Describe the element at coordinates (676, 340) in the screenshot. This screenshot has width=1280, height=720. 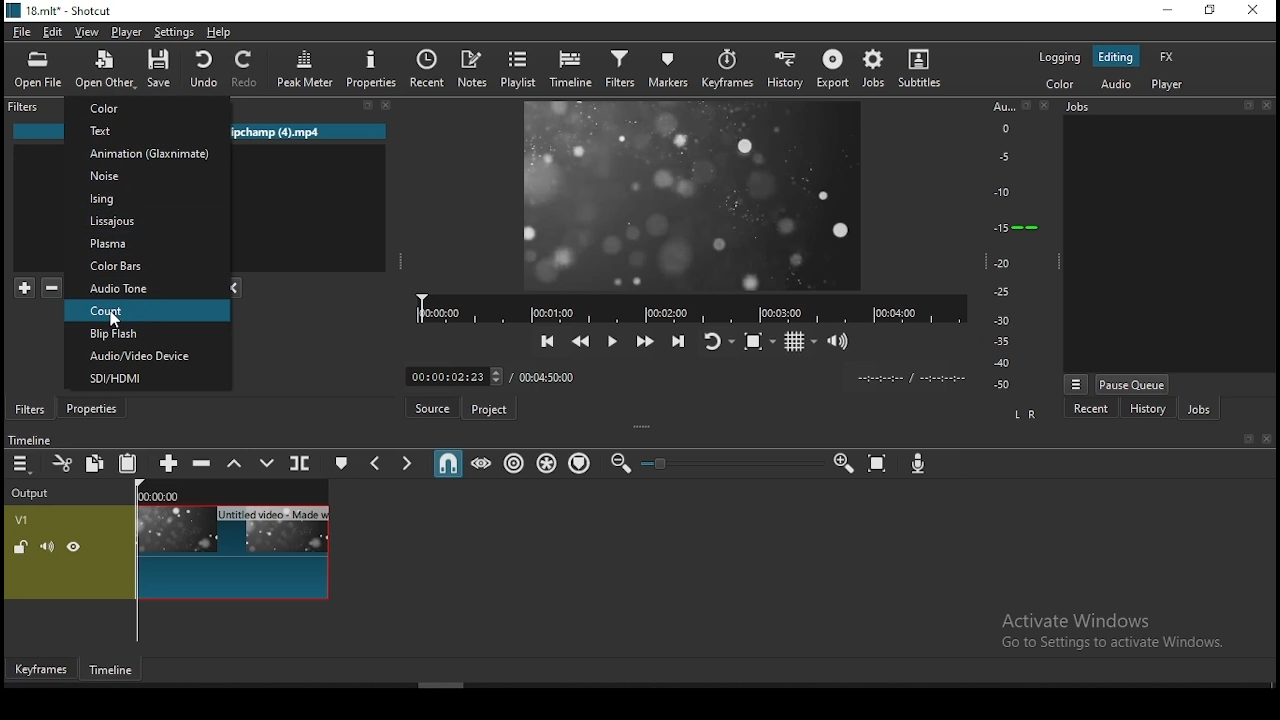
I see `skip to next point` at that location.